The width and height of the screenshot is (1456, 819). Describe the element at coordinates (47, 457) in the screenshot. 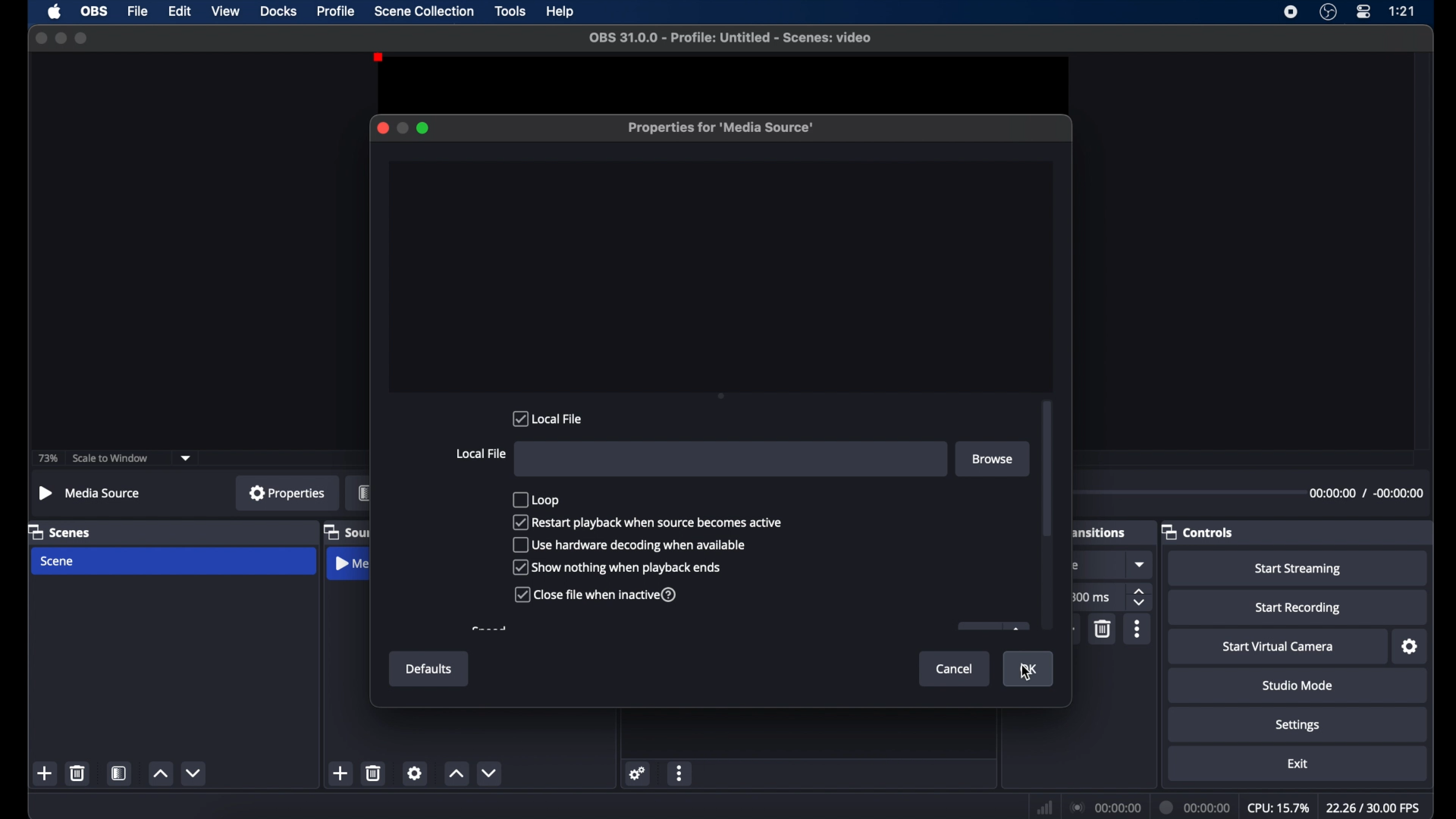

I see `73%` at that location.